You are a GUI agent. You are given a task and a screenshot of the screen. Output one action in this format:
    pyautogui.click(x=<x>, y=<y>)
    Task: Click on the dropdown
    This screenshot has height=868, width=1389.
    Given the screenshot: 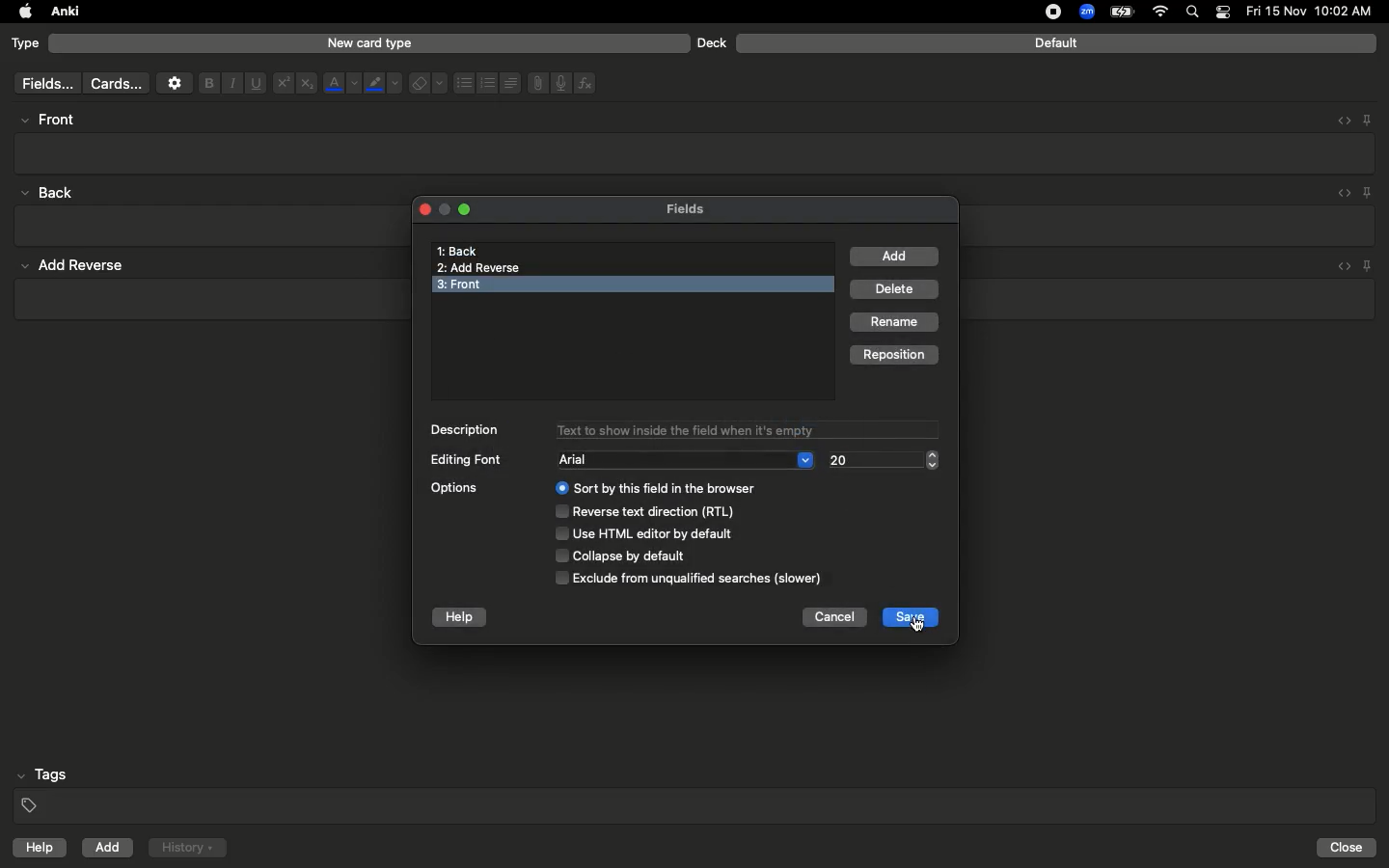 What is the action you would take?
    pyautogui.click(x=805, y=458)
    